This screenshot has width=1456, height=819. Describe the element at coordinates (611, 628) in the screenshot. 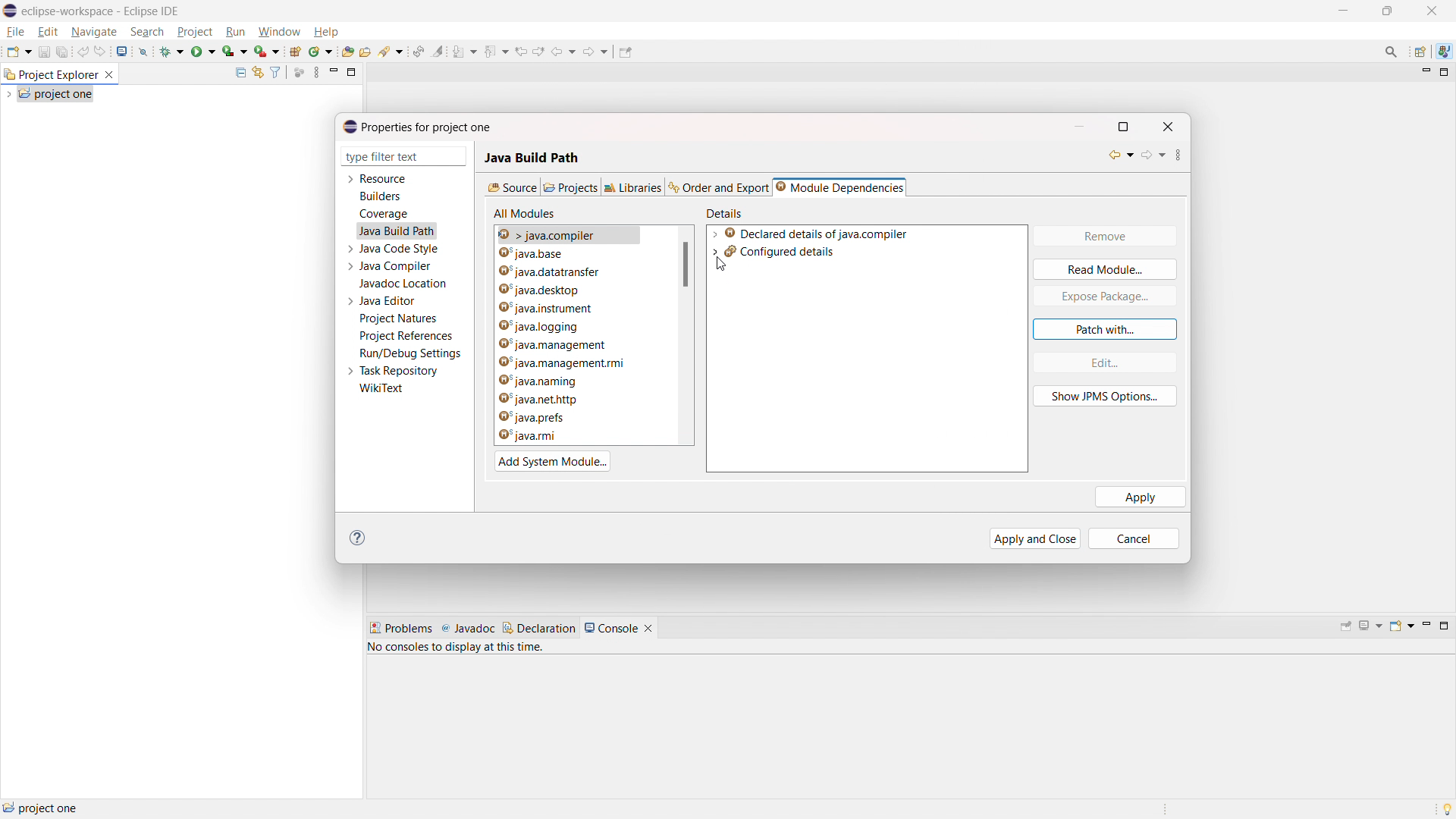

I see `console` at that location.